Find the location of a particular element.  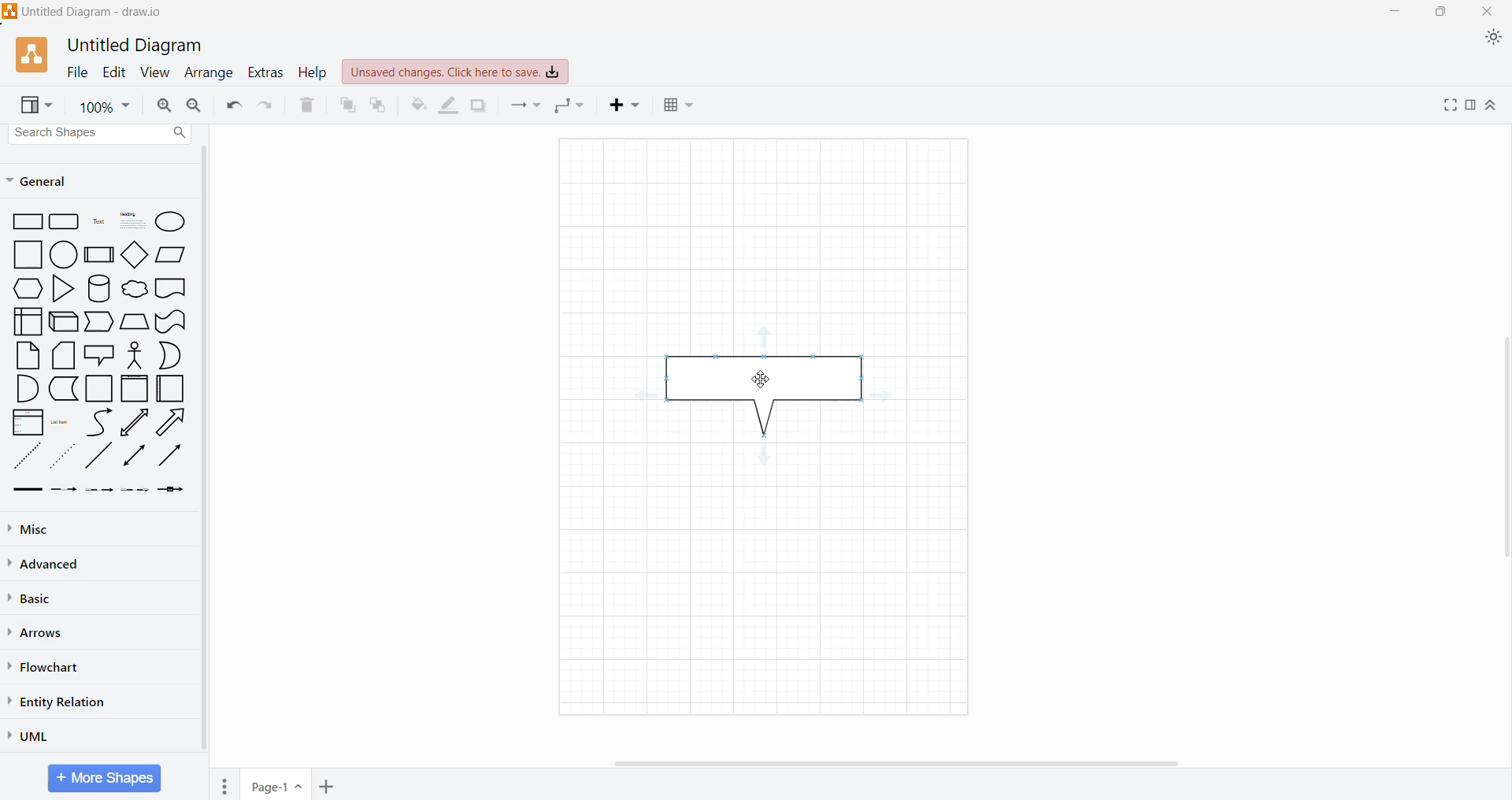

circle is located at coordinates (63, 255).